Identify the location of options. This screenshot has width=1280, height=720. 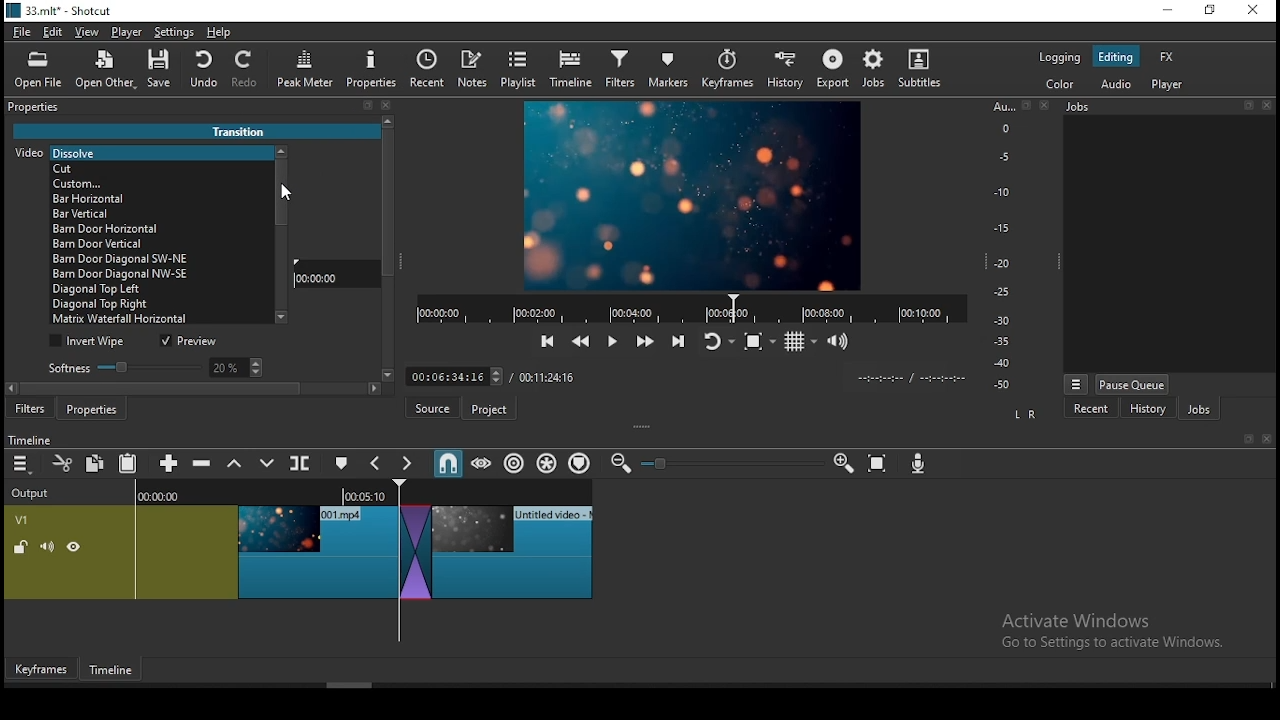
(1076, 382).